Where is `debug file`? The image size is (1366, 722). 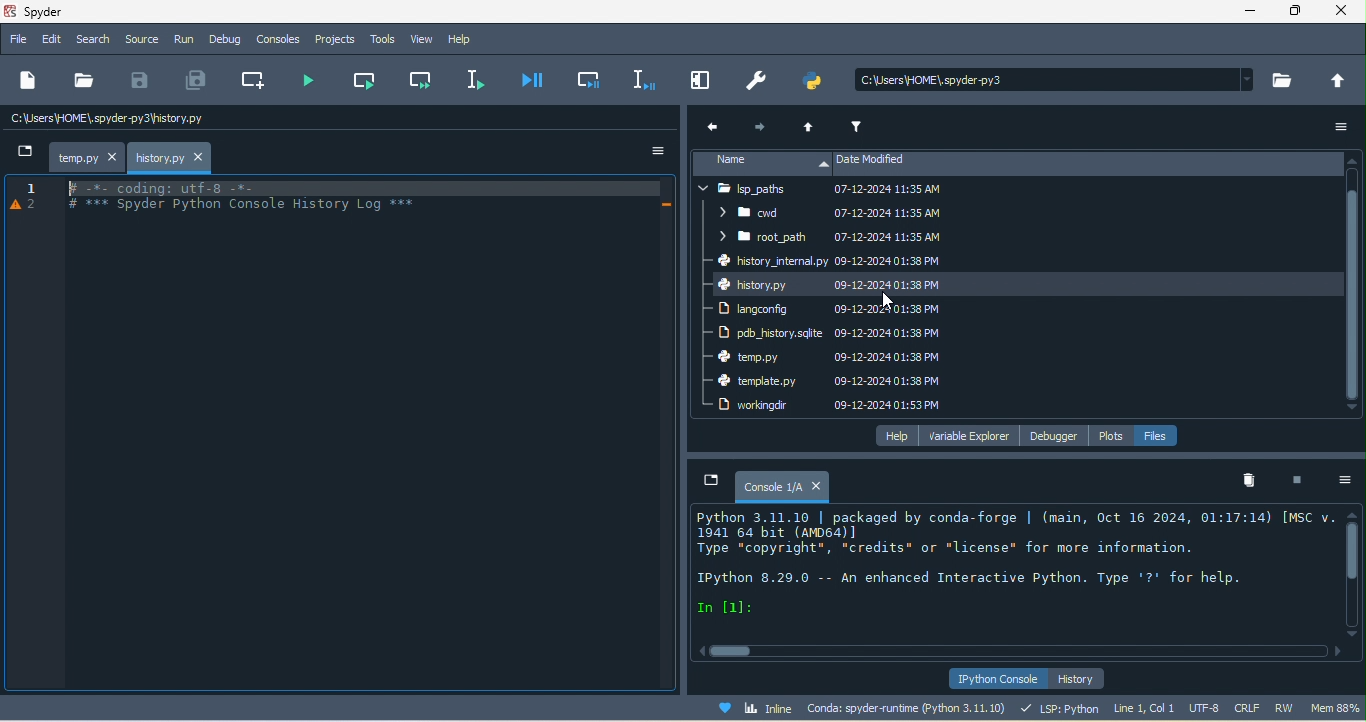 debug file is located at coordinates (530, 77).